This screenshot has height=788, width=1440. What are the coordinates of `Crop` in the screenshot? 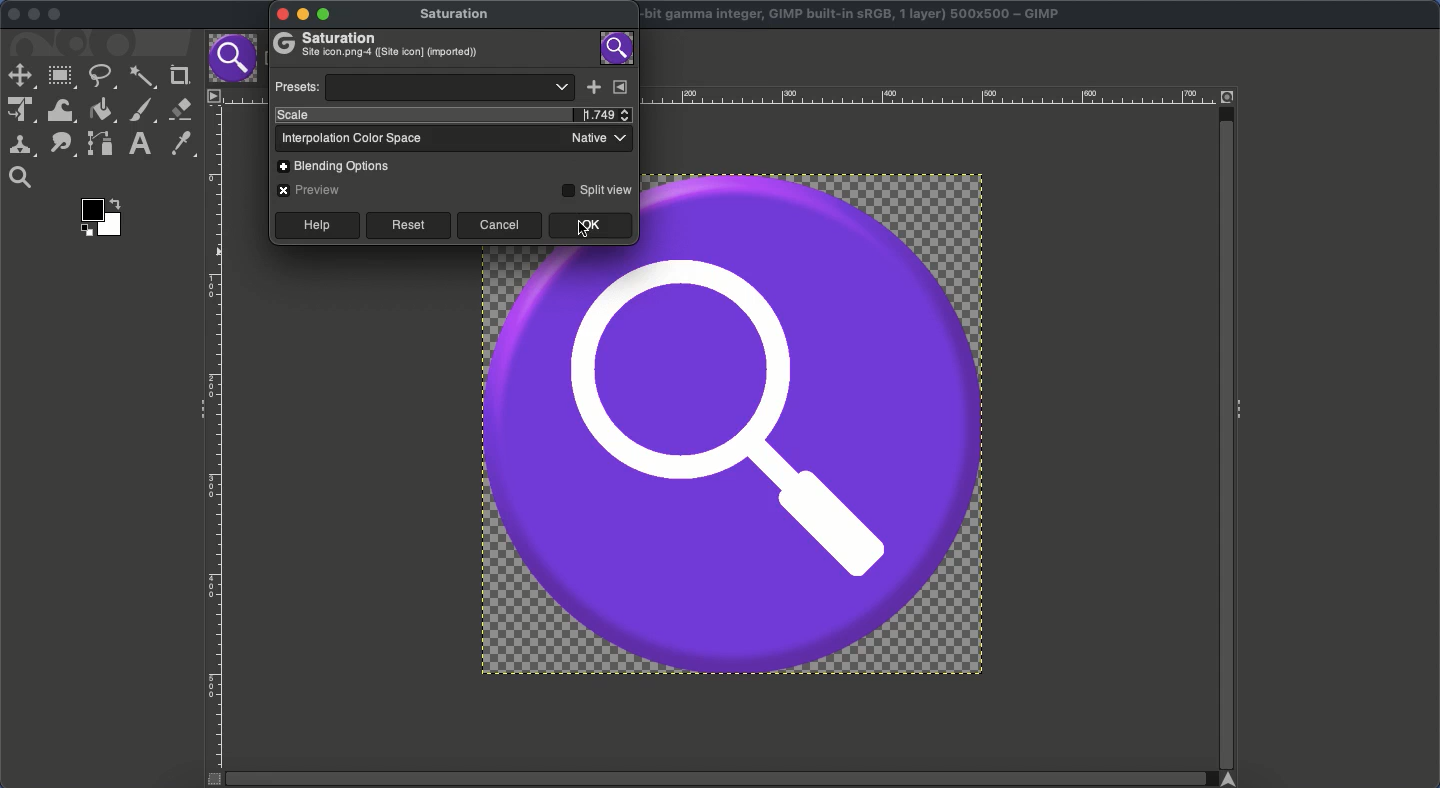 It's located at (179, 73).